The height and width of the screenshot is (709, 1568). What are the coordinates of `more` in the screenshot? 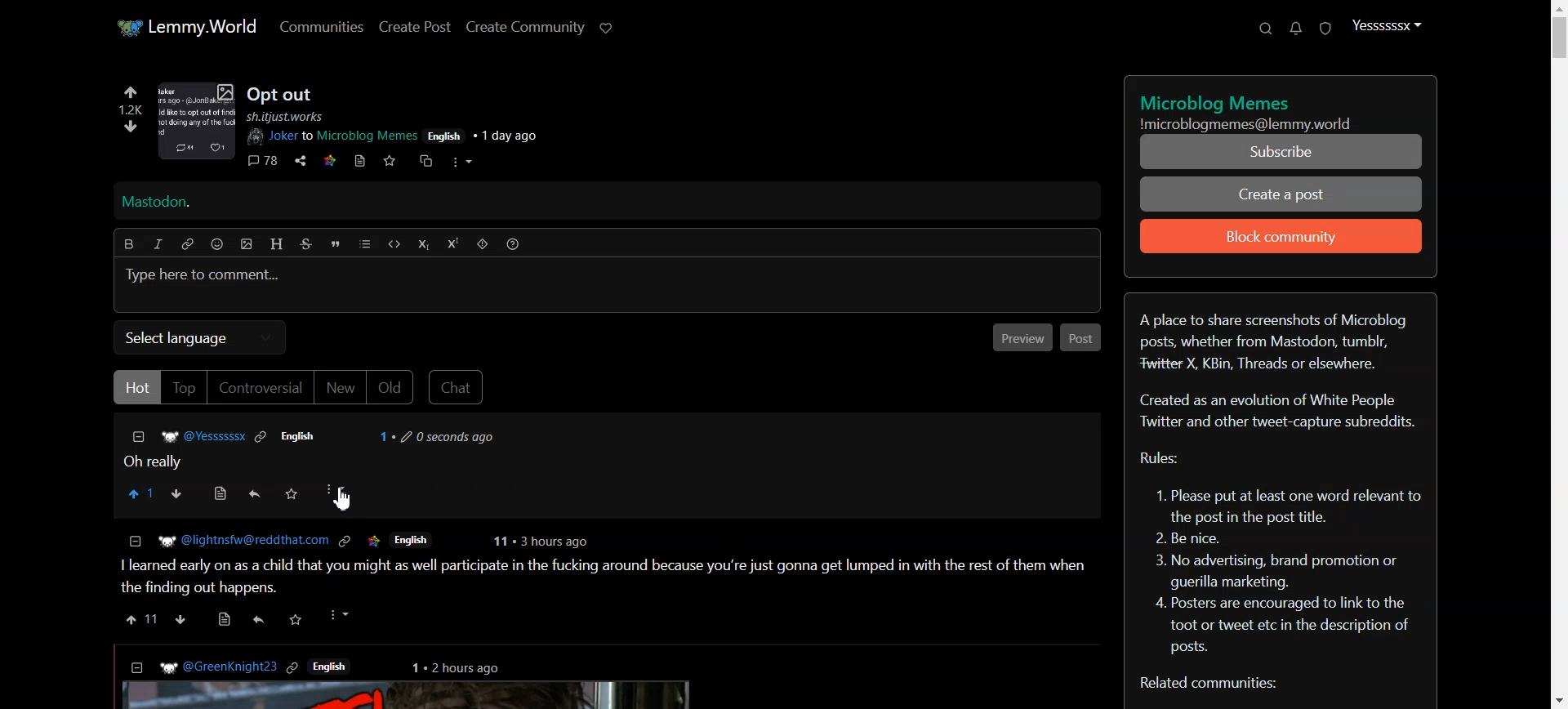 It's located at (462, 163).